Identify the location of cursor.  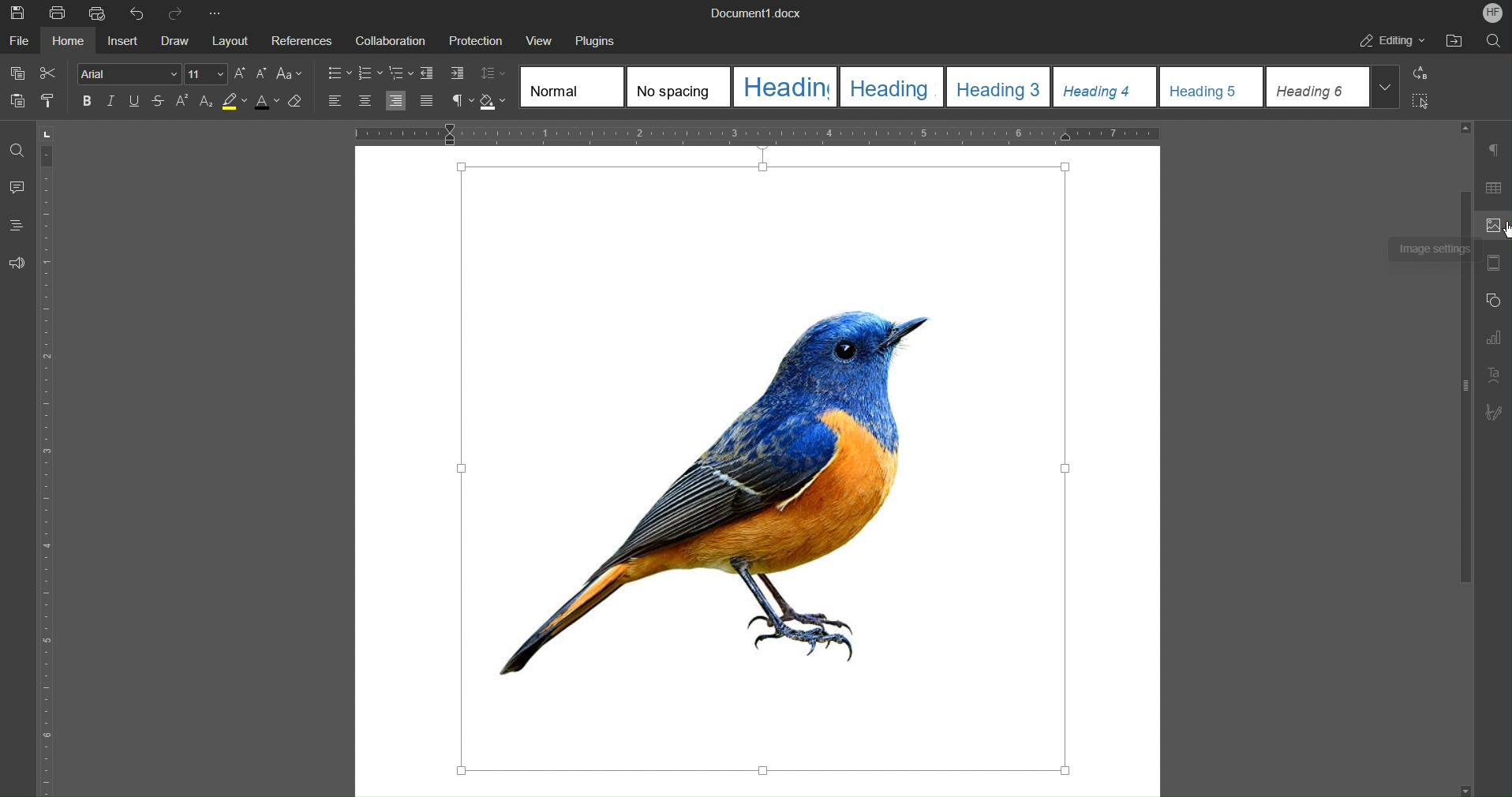
(1503, 226).